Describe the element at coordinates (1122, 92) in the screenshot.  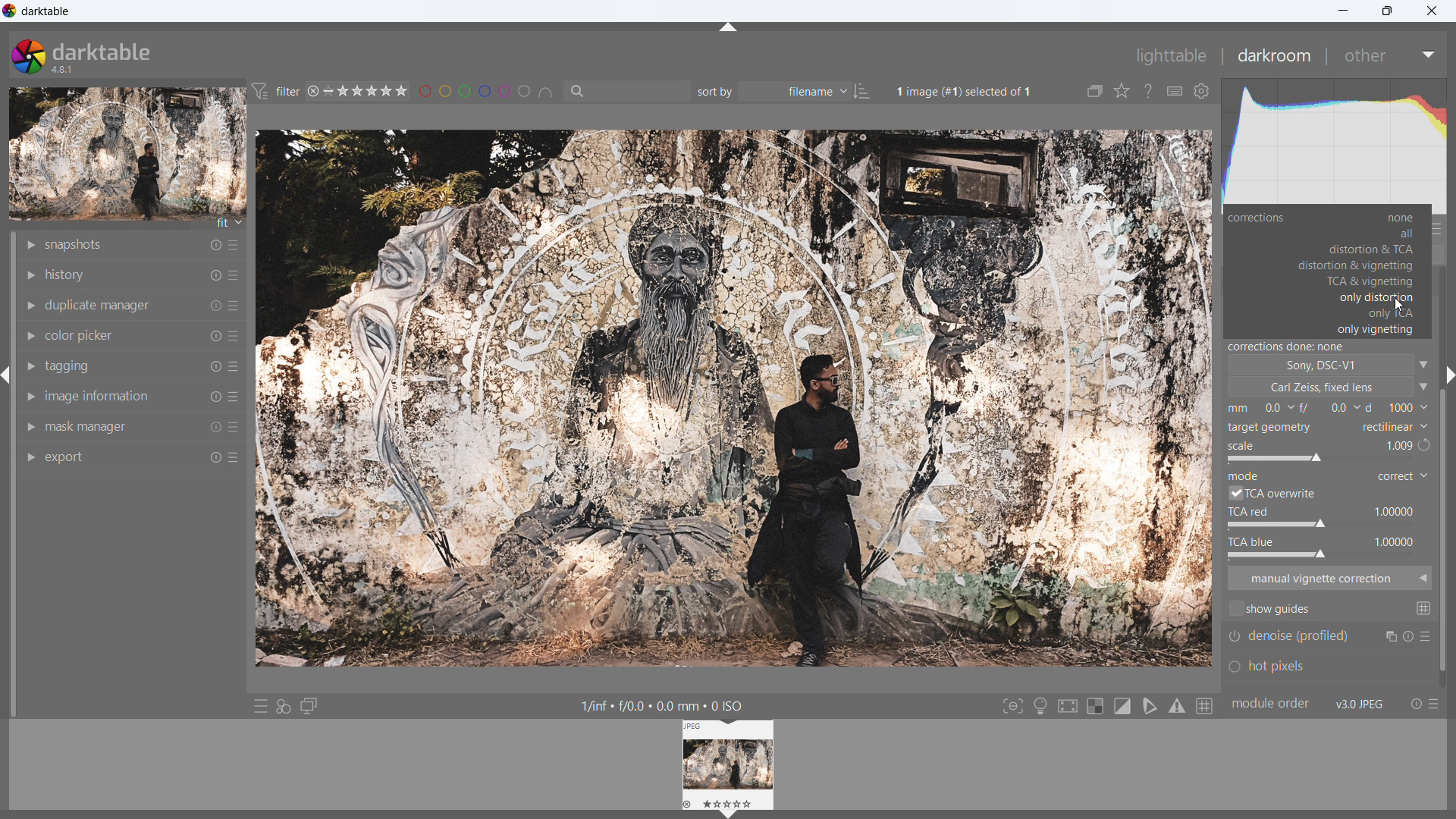
I see `click to change the type of overlays shown on thumbnails` at that location.